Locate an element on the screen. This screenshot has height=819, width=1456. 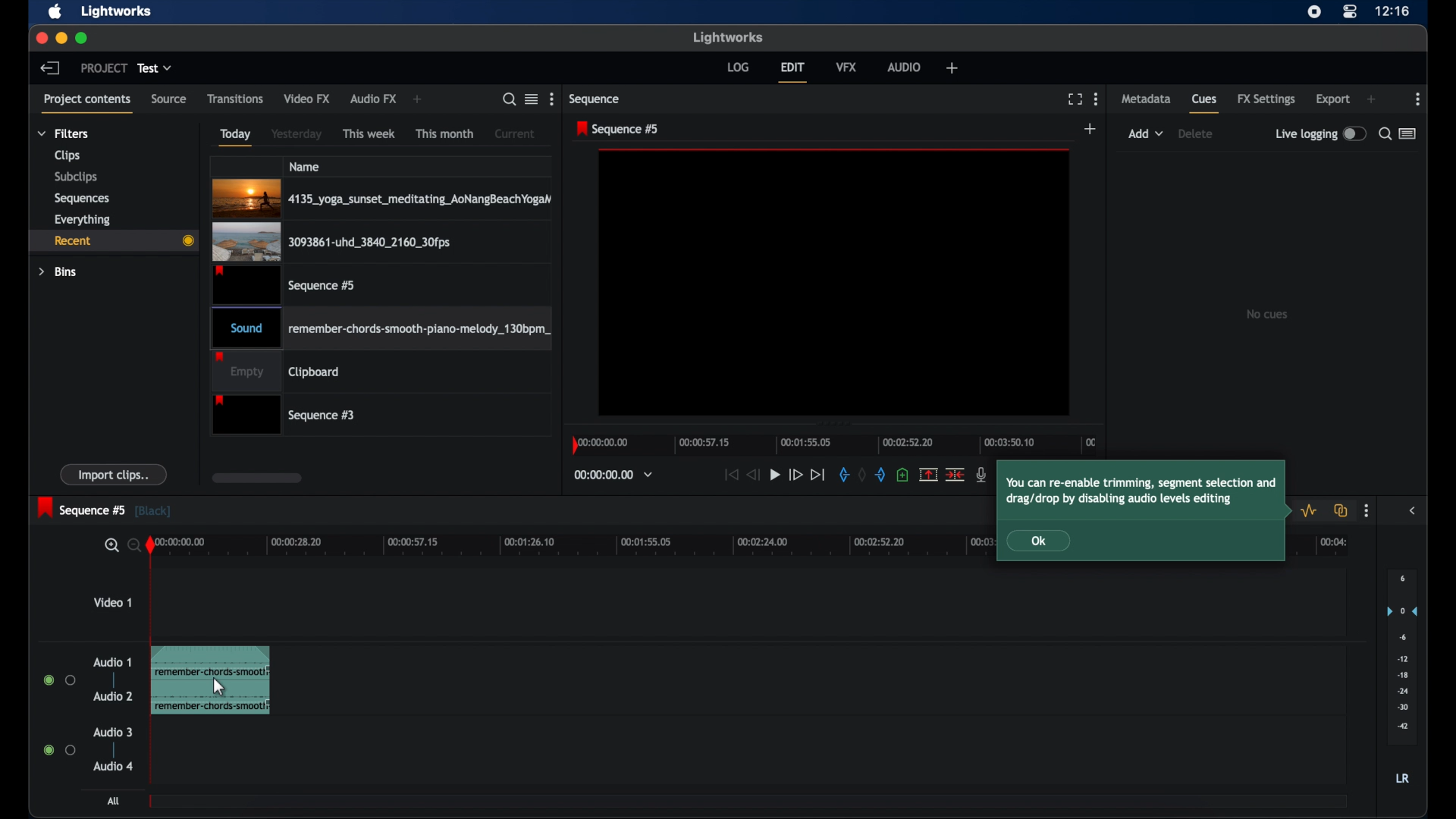
today is located at coordinates (234, 136).